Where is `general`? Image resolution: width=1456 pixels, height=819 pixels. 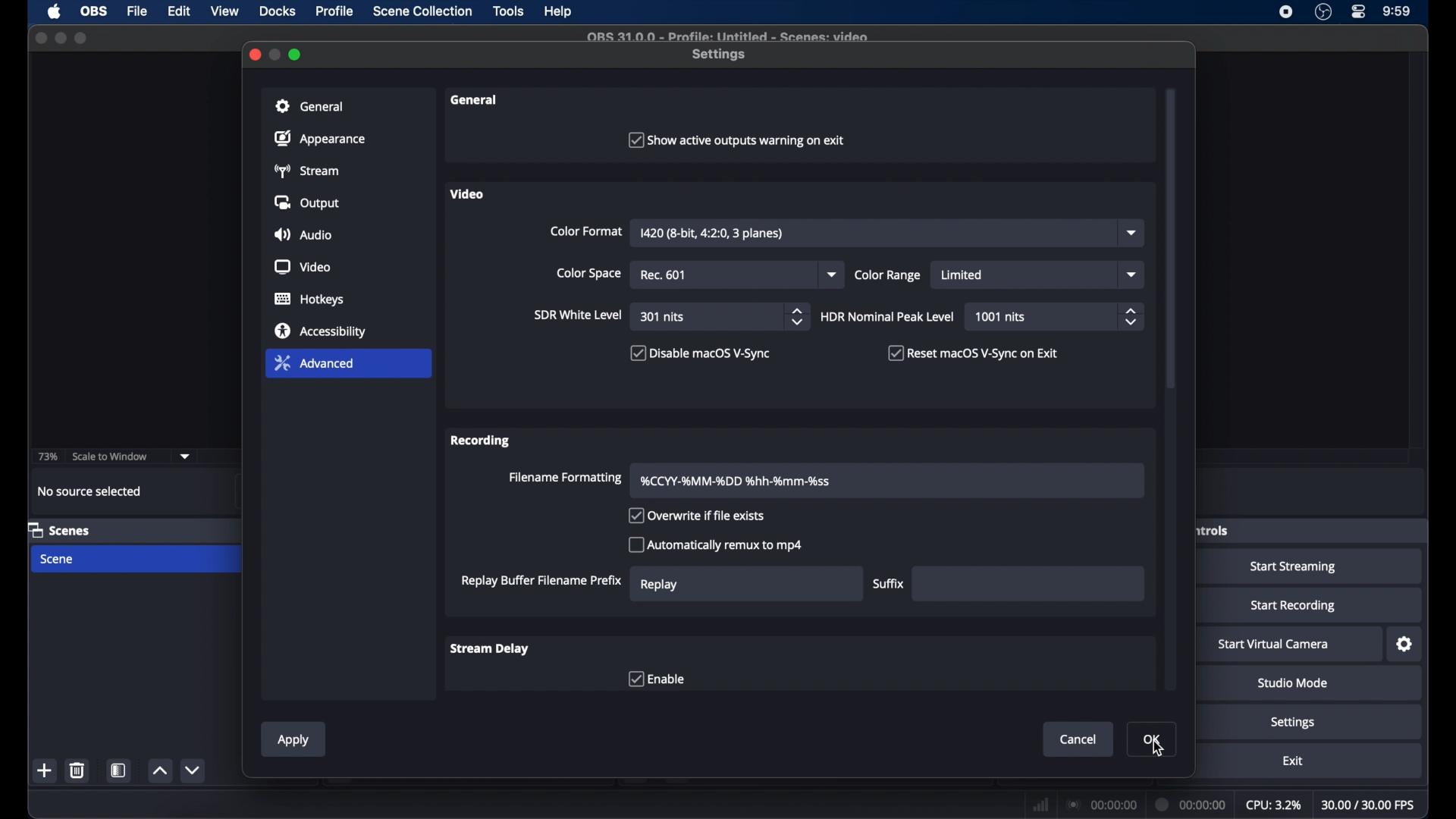
general is located at coordinates (474, 99).